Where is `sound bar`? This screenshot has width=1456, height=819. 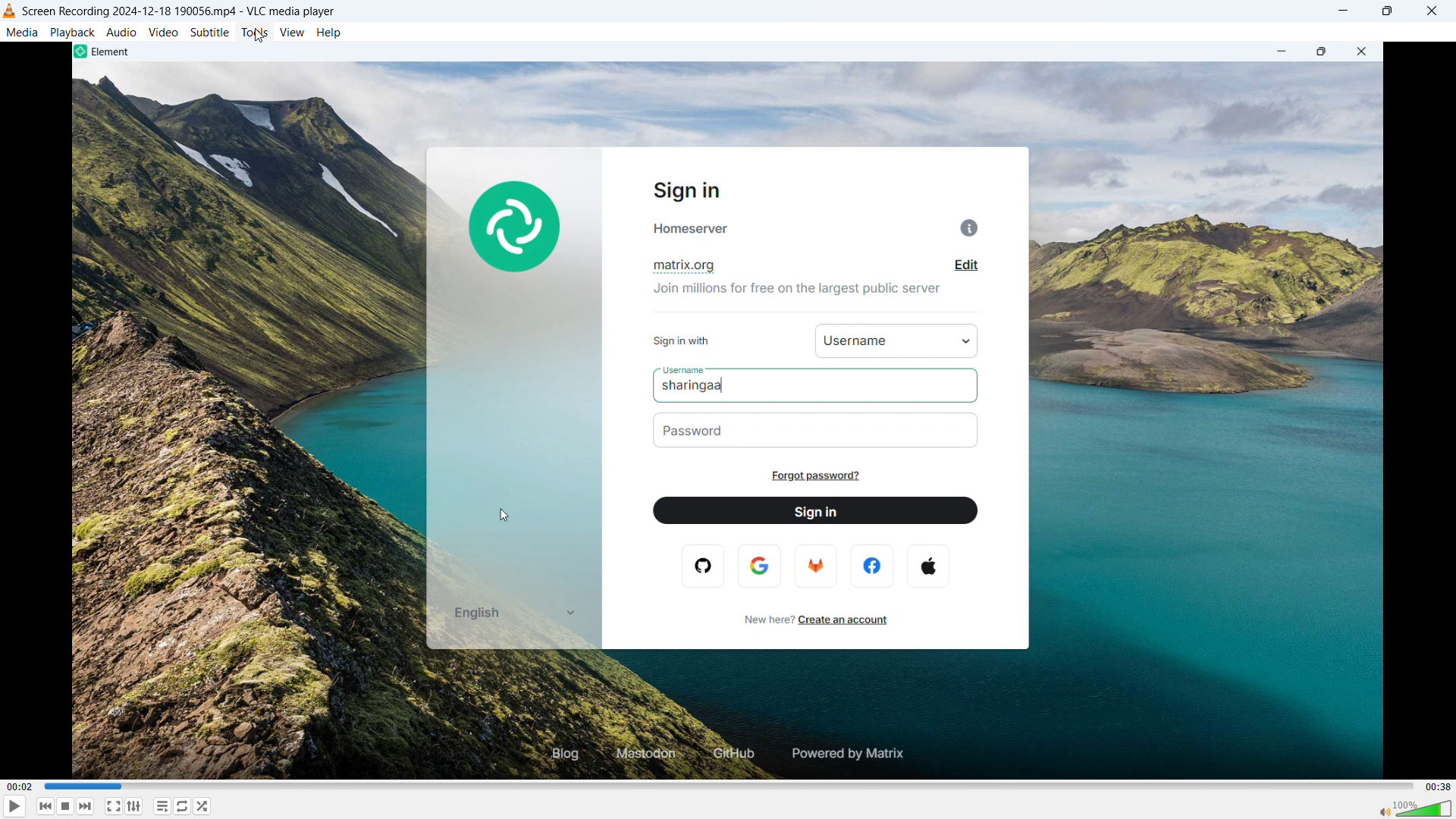 sound bar is located at coordinates (1406, 808).